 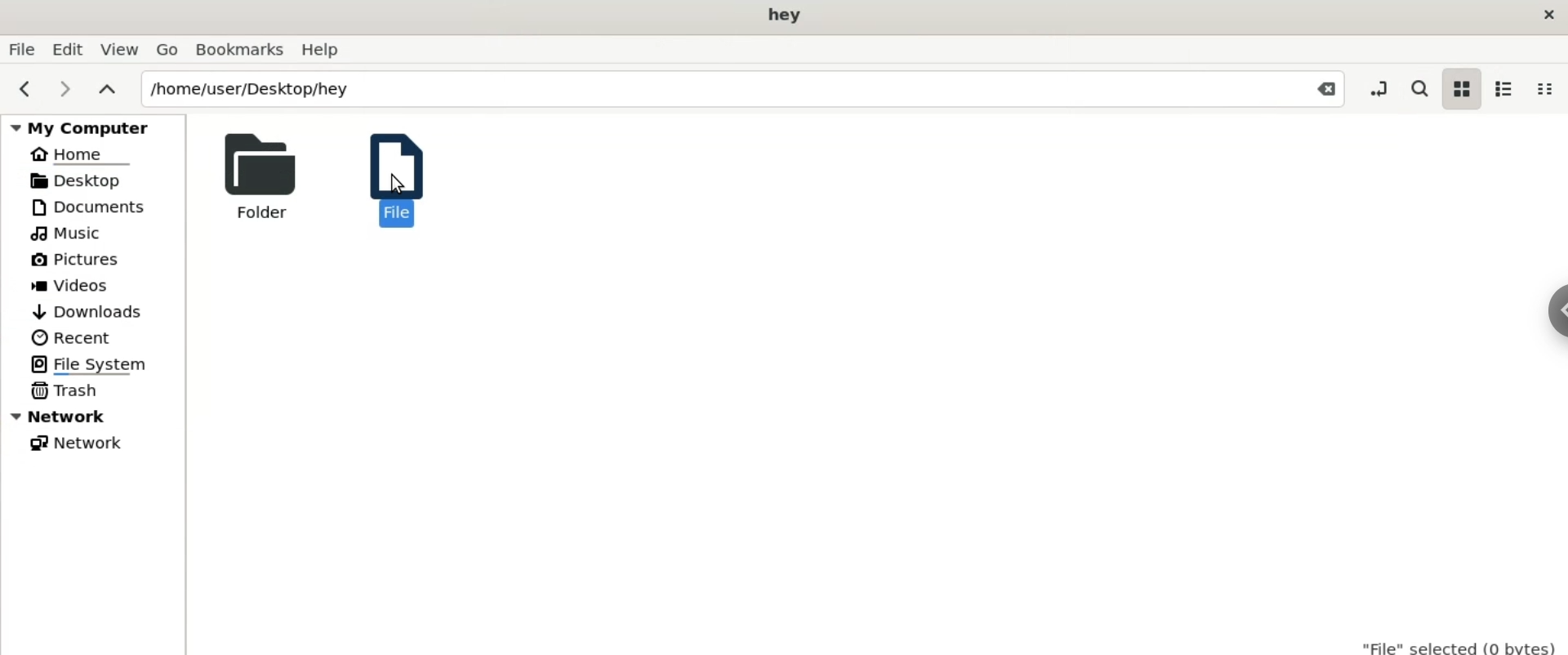 What do you see at coordinates (95, 365) in the screenshot?
I see `file system` at bounding box center [95, 365].